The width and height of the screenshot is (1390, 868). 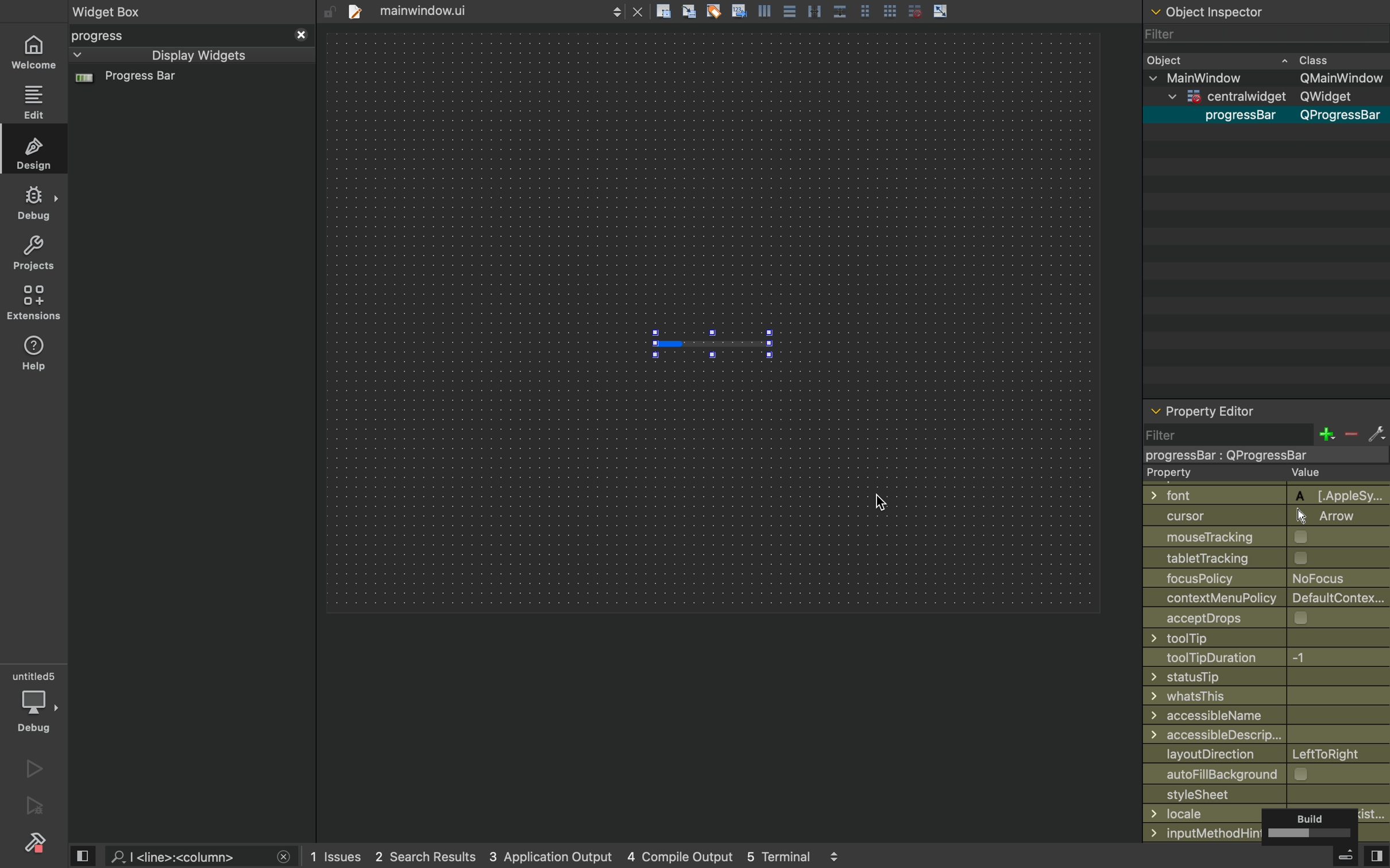 I want to click on stylesheet, so click(x=1267, y=793).